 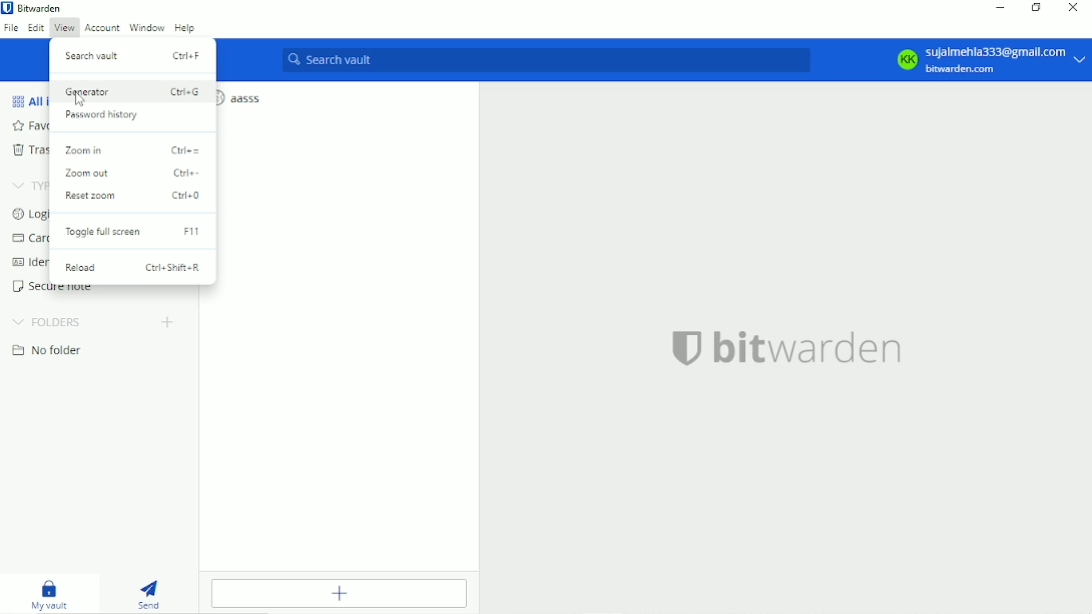 I want to click on Account, so click(x=102, y=28).